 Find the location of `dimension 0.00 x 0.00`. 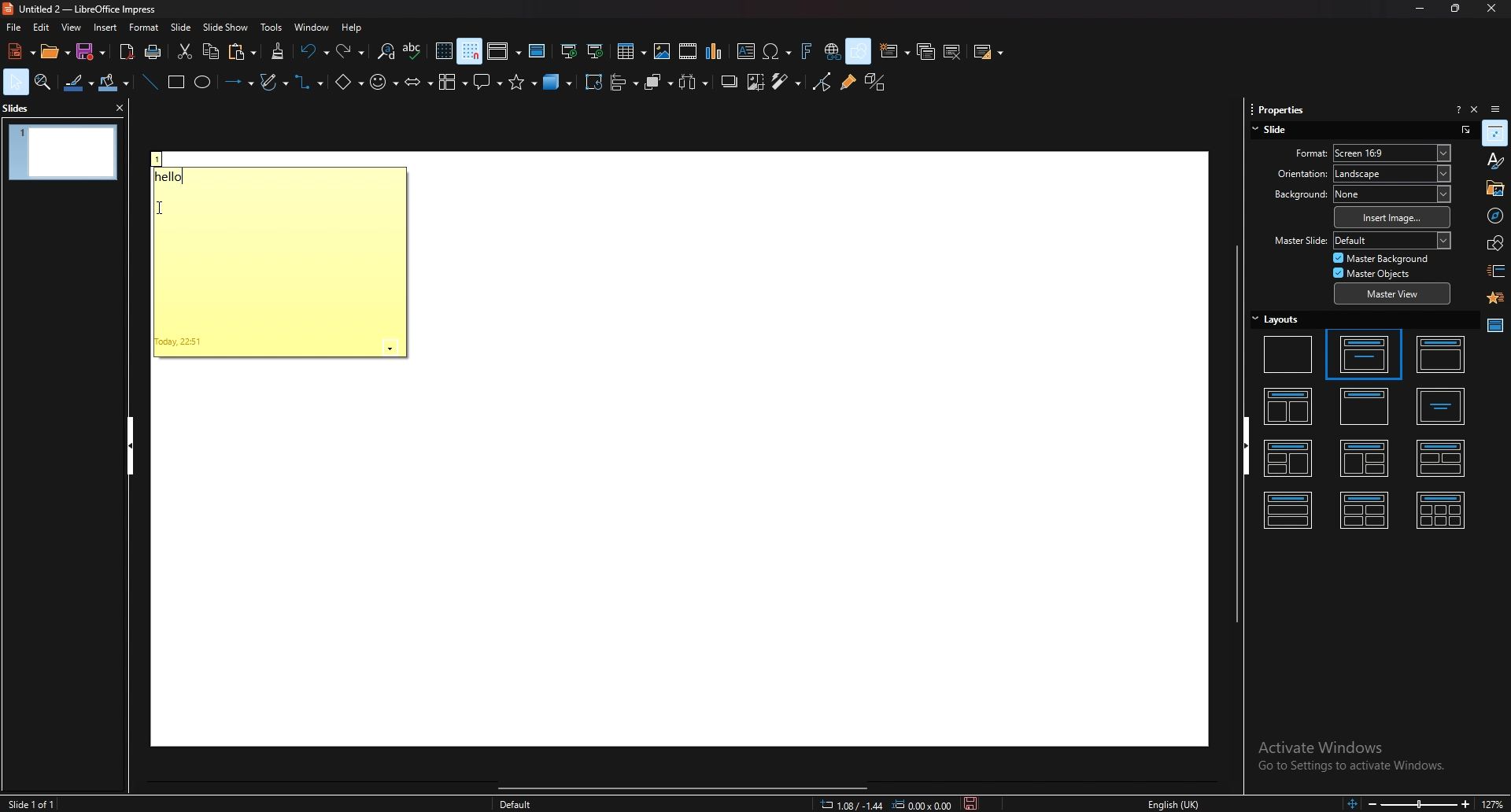

dimension 0.00 x 0.00 is located at coordinates (922, 804).